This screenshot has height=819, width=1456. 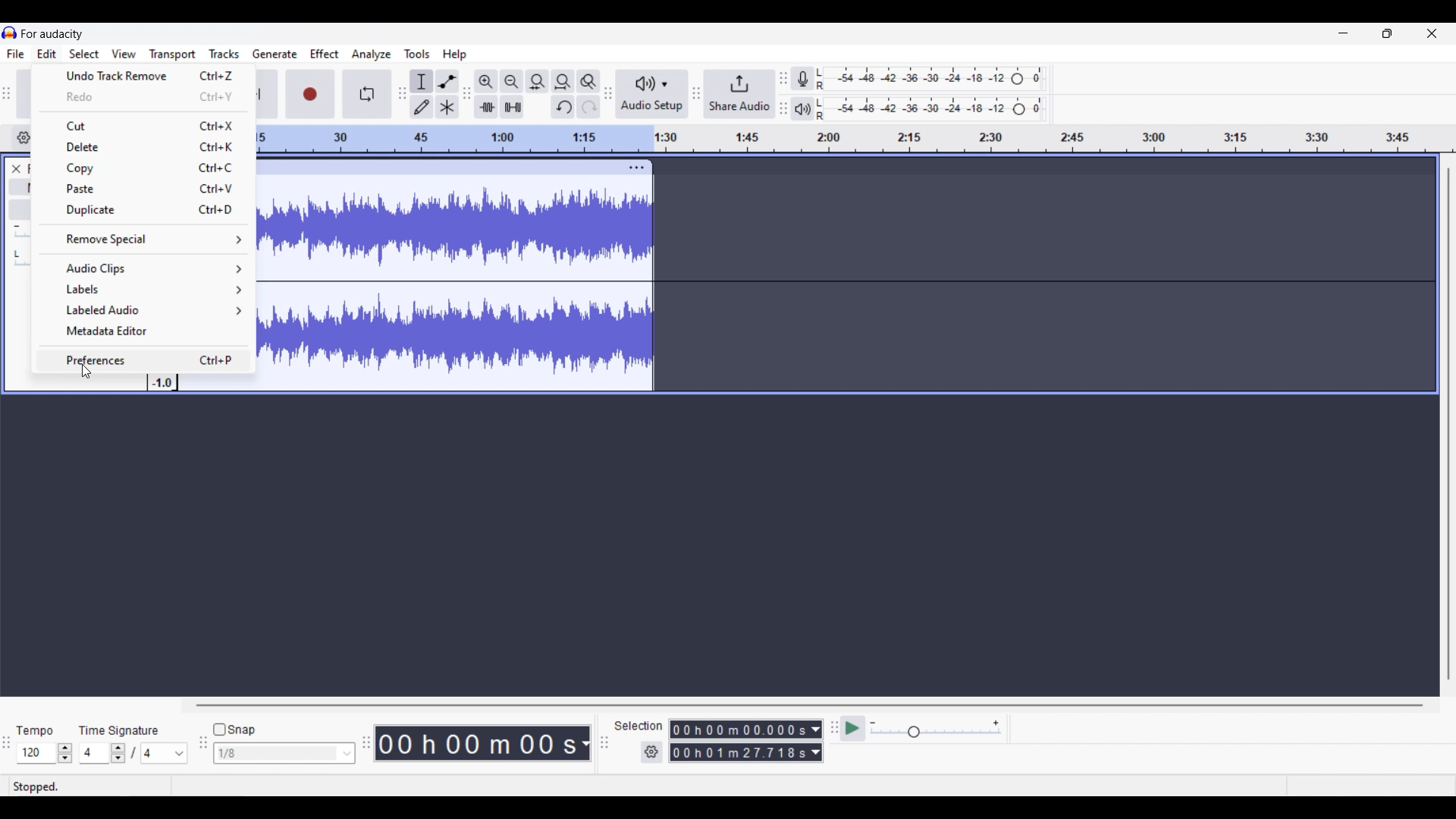 What do you see at coordinates (1432, 33) in the screenshot?
I see `Close interface` at bounding box center [1432, 33].